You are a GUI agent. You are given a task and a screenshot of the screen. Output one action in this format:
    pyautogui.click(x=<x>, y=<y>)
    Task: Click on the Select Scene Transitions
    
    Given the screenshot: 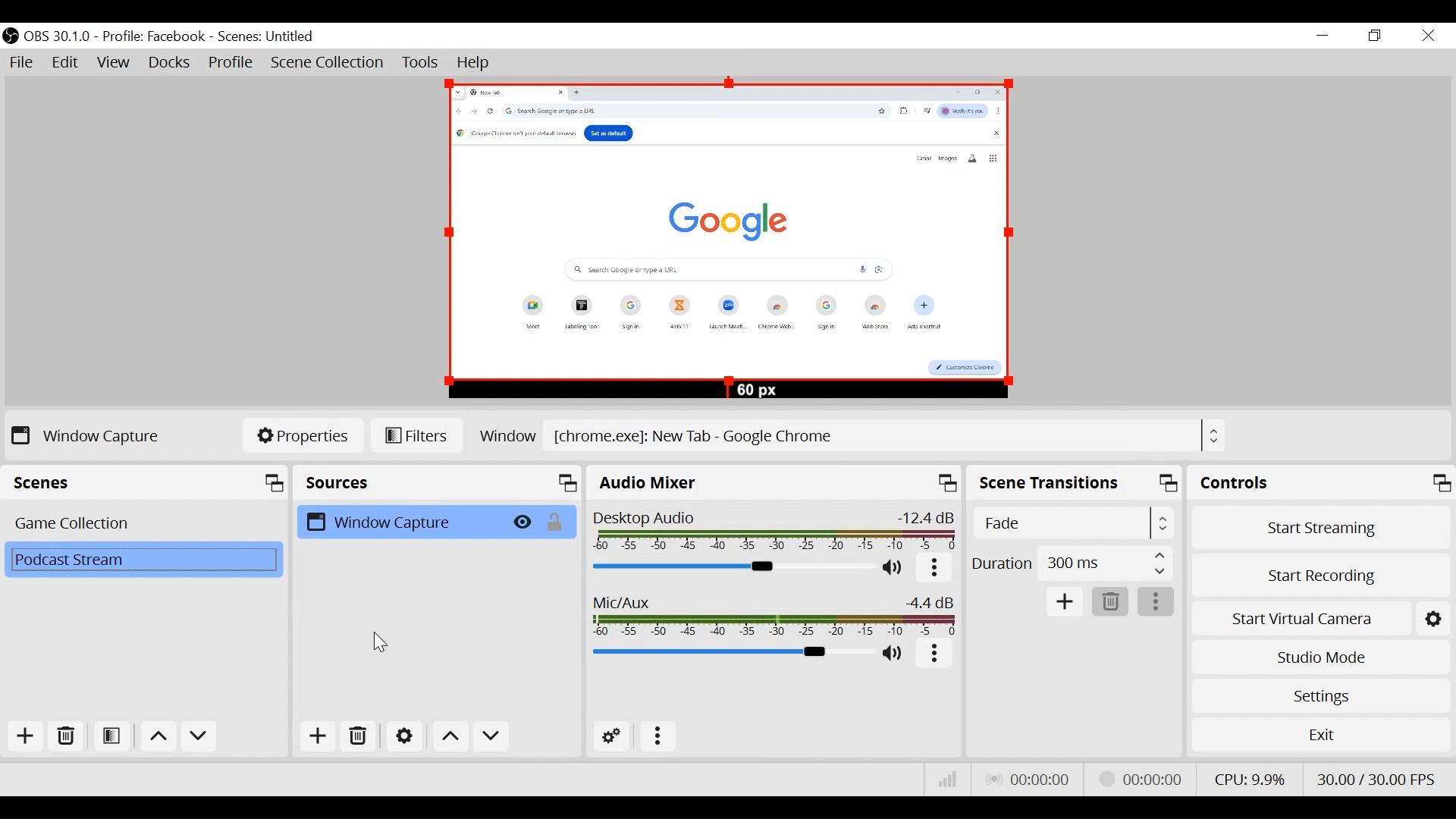 What is the action you would take?
    pyautogui.click(x=1075, y=522)
    